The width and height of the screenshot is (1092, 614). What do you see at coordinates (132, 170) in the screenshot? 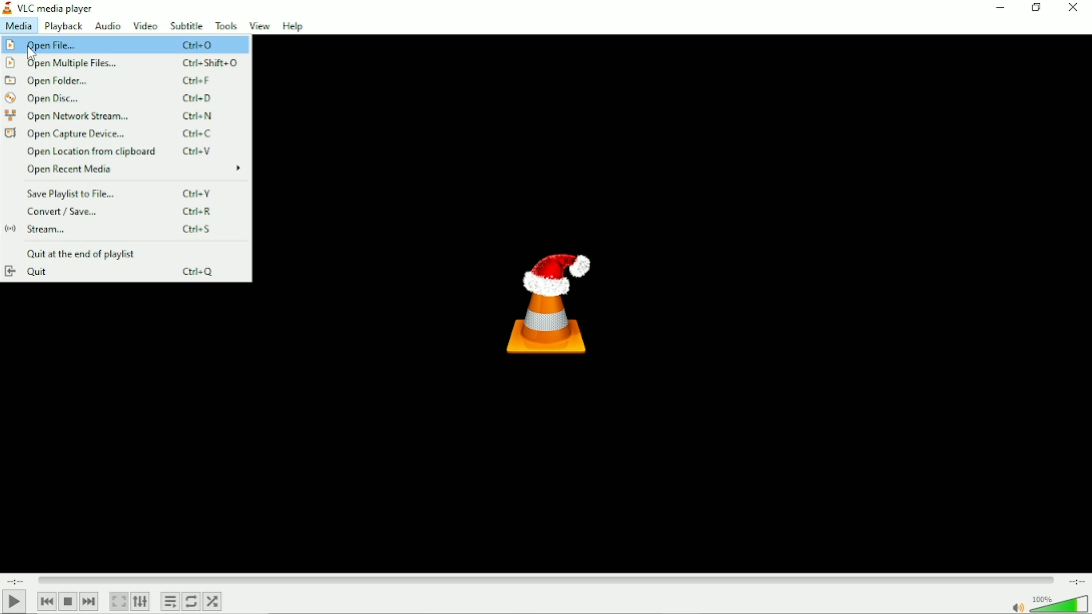
I see `Open recent media` at bounding box center [132, 170].